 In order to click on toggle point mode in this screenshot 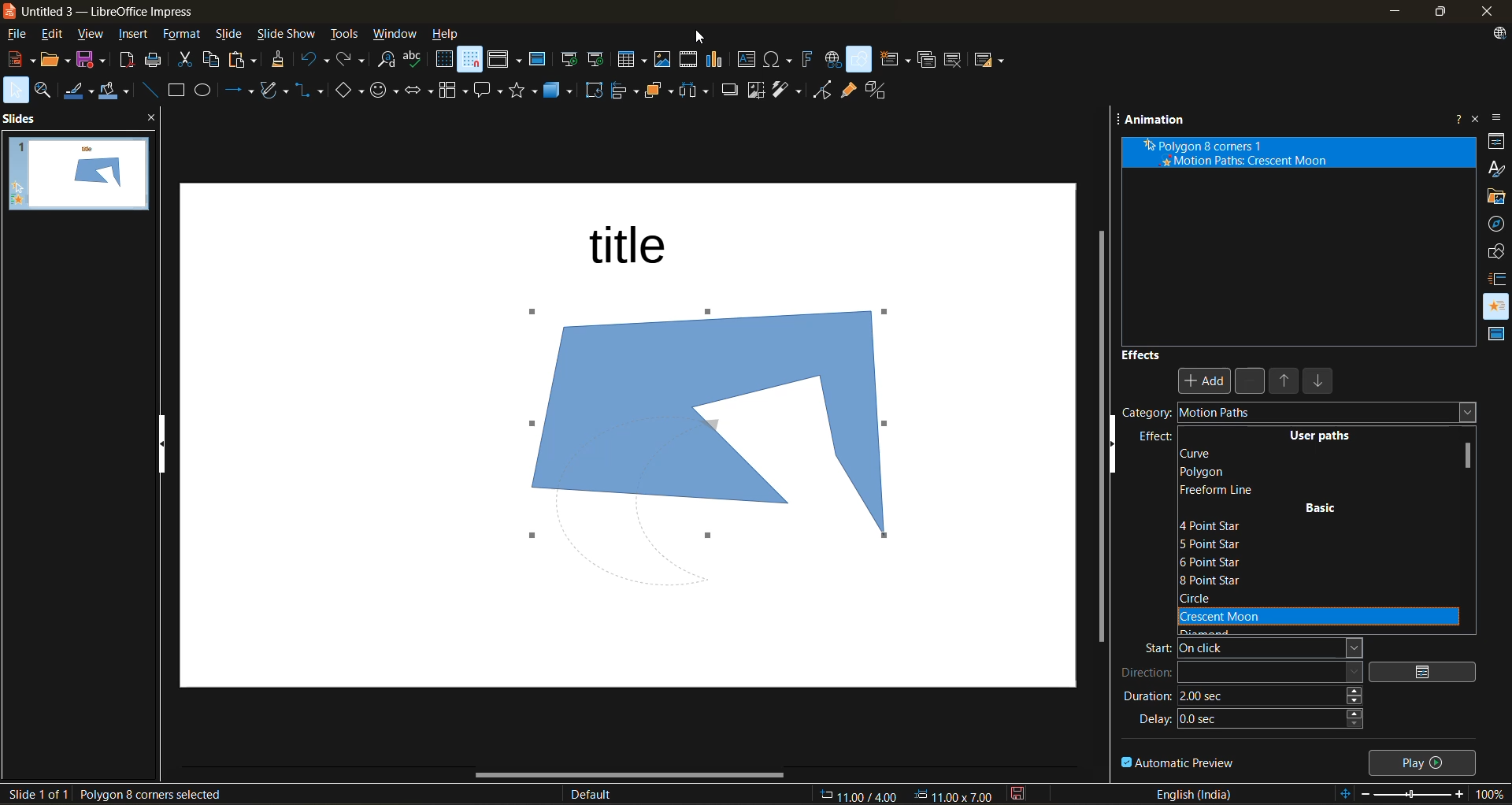, I will do `click(823, 91)`.